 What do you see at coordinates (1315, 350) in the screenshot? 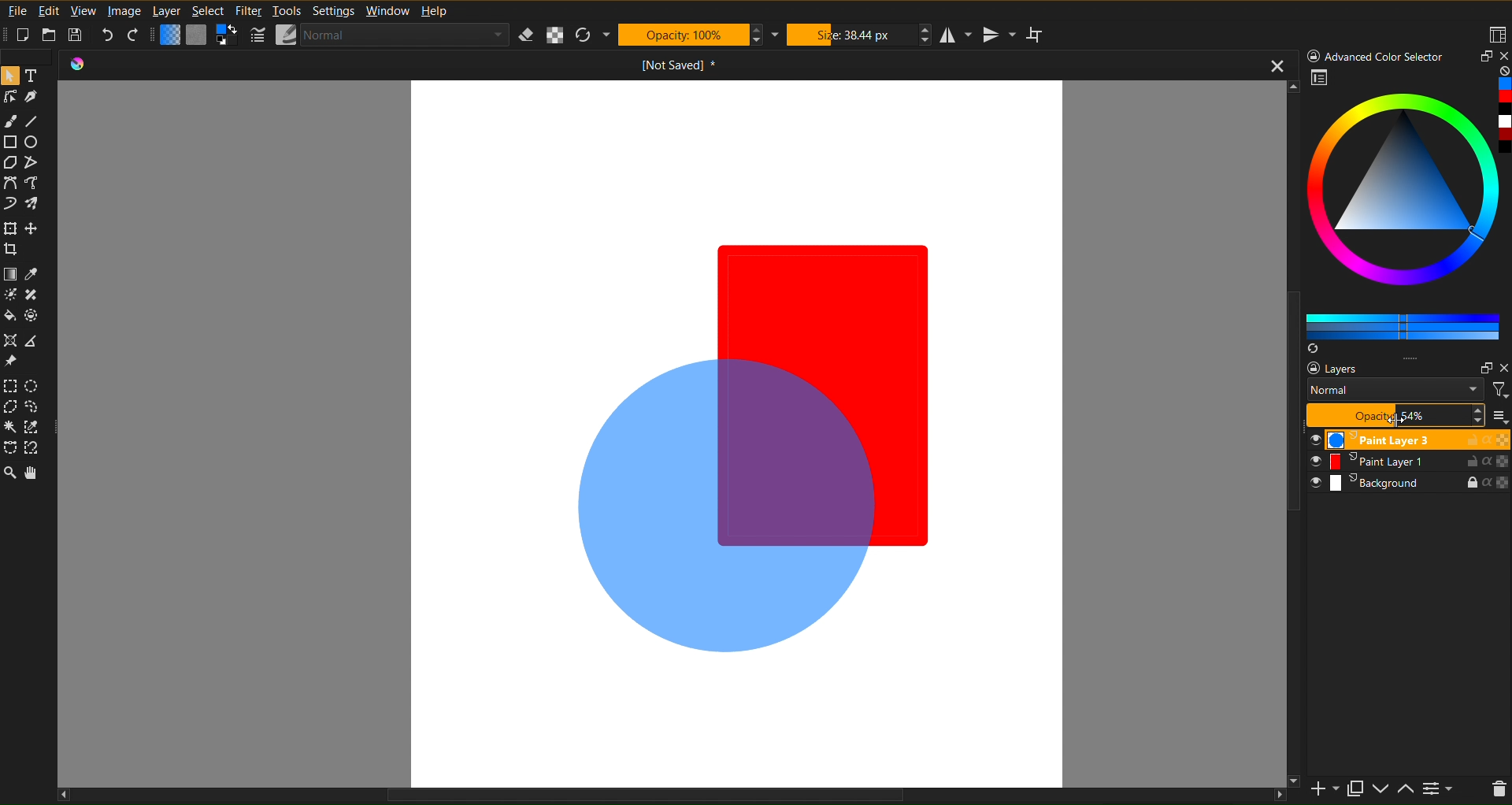
I see `syns` at bounding box center [1315, 350].